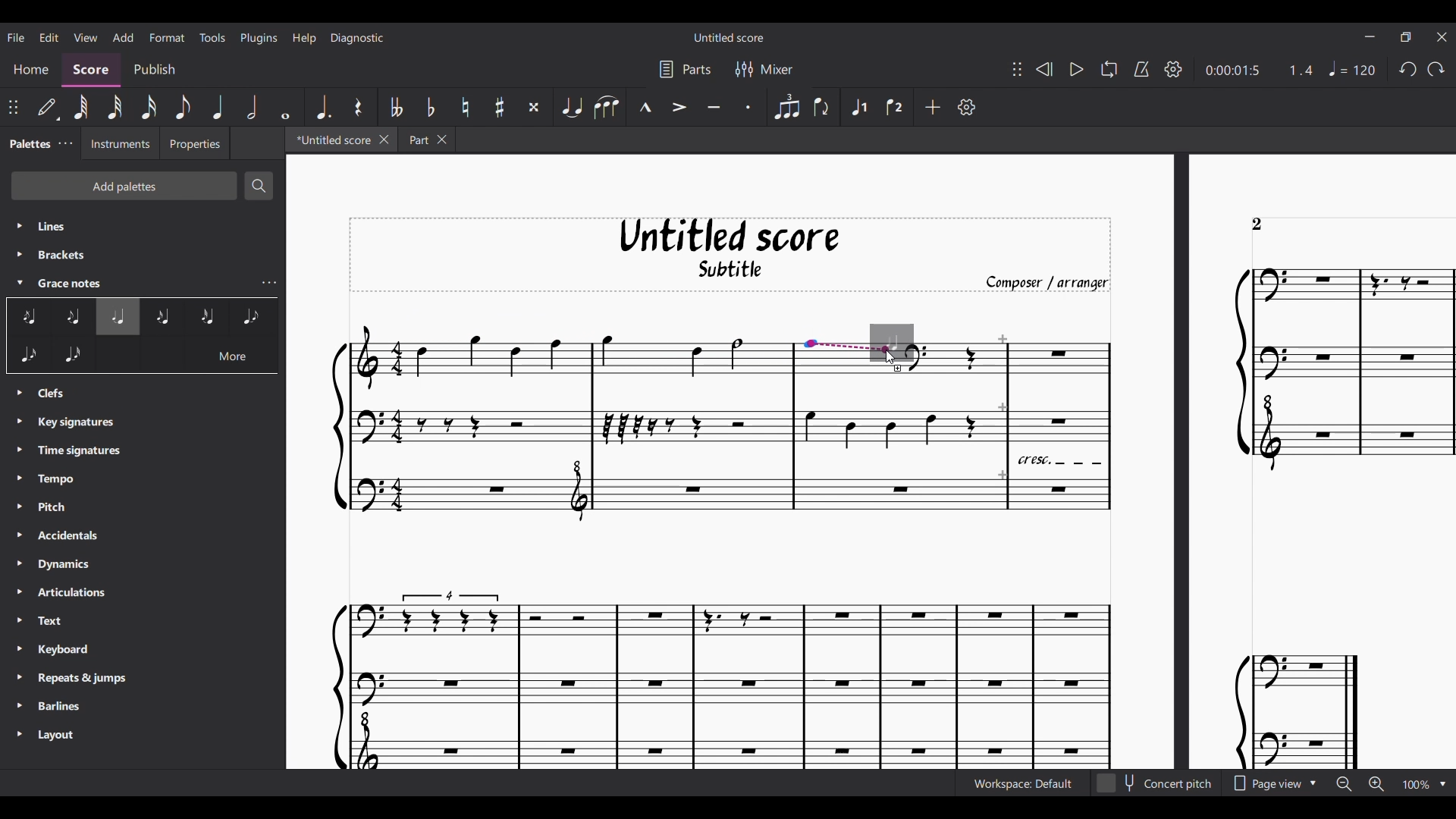 Image resolution: width=1456 pixels, height=819 pixels. Describe the element at coordinates (822, 107) in the screenshot. I see `Flip direction` at that location.